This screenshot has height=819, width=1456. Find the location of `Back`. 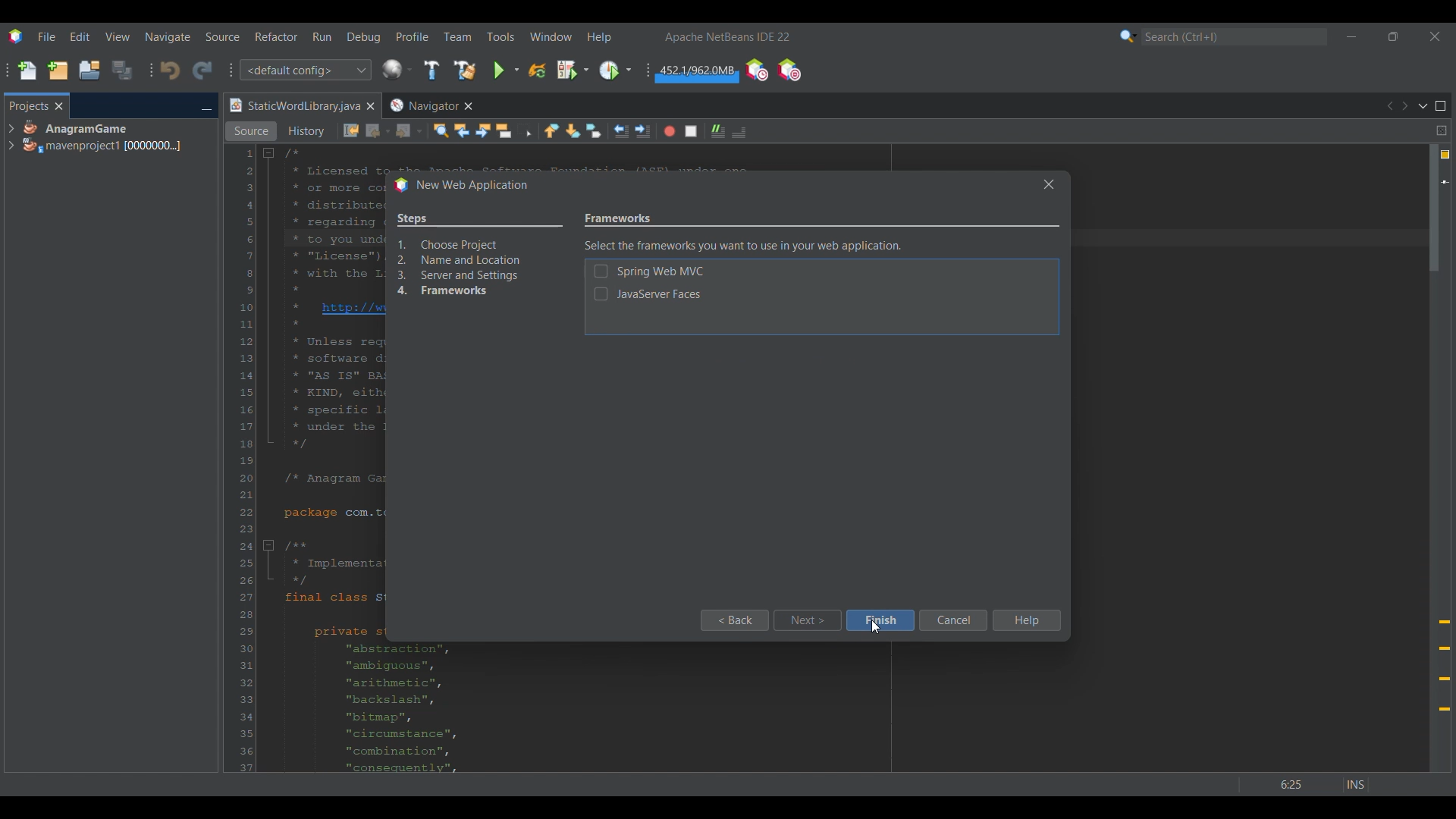

Back is located at coordinates (378, 131).